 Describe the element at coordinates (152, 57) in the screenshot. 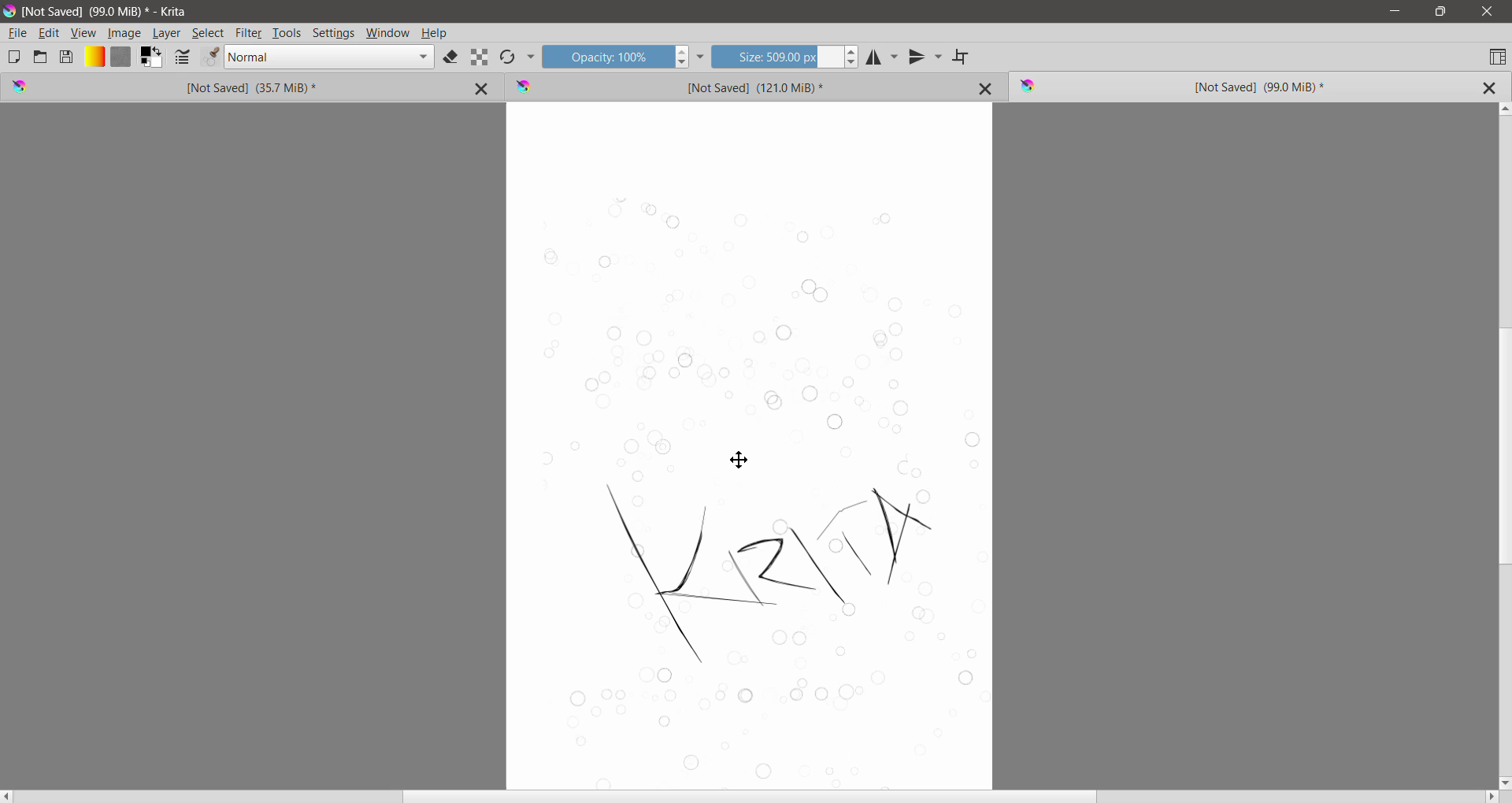

I see `Foreground and Background Color Selector` at that location.